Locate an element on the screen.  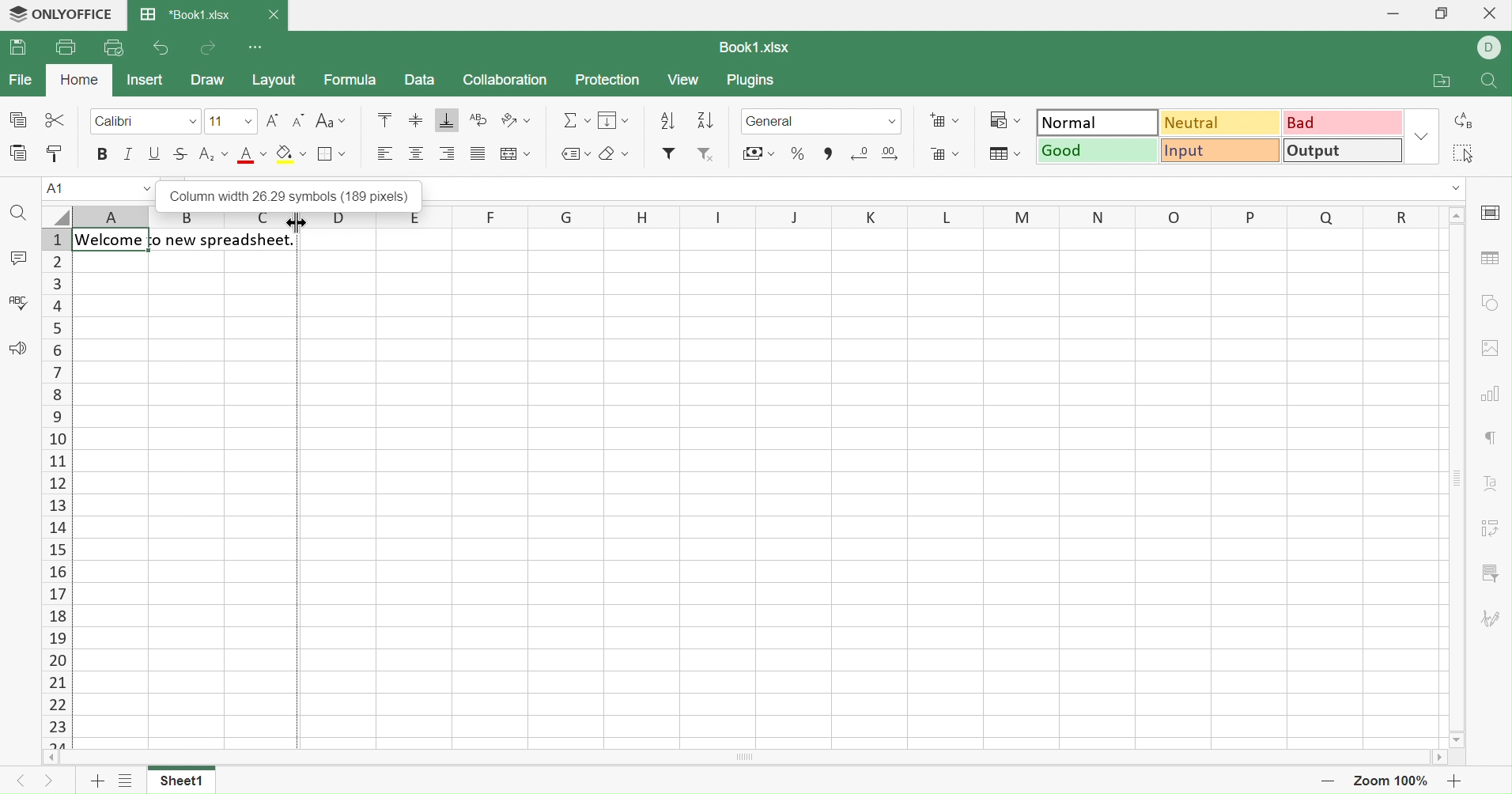
Replace is located at coordinates (1465, 121).